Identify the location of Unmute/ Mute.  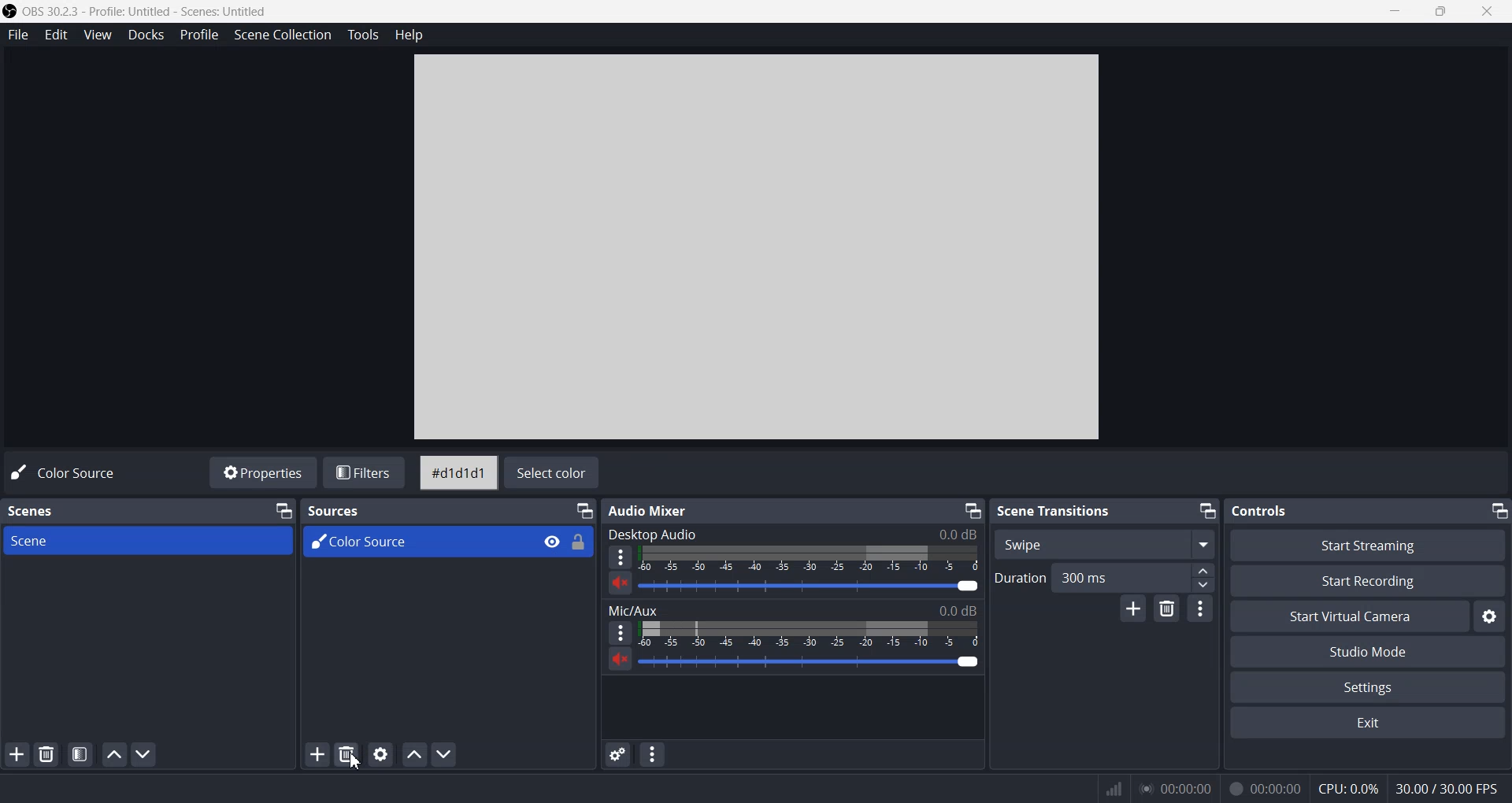
(621, 583).